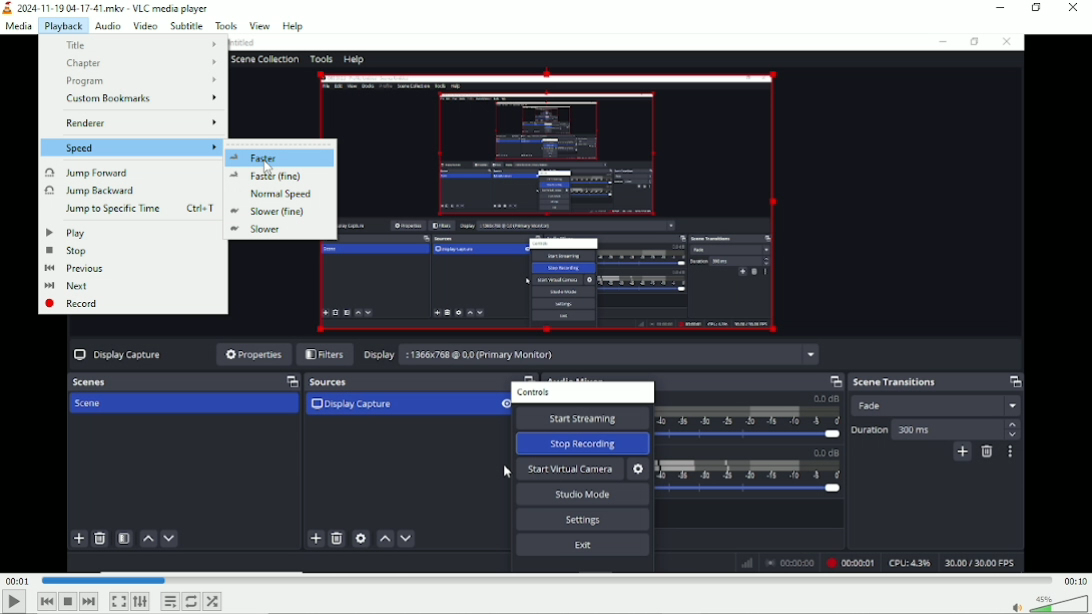  What do you see at coordinates (127, 232) in the screenshot?
I see `play ` at bounding box center [127, 232].